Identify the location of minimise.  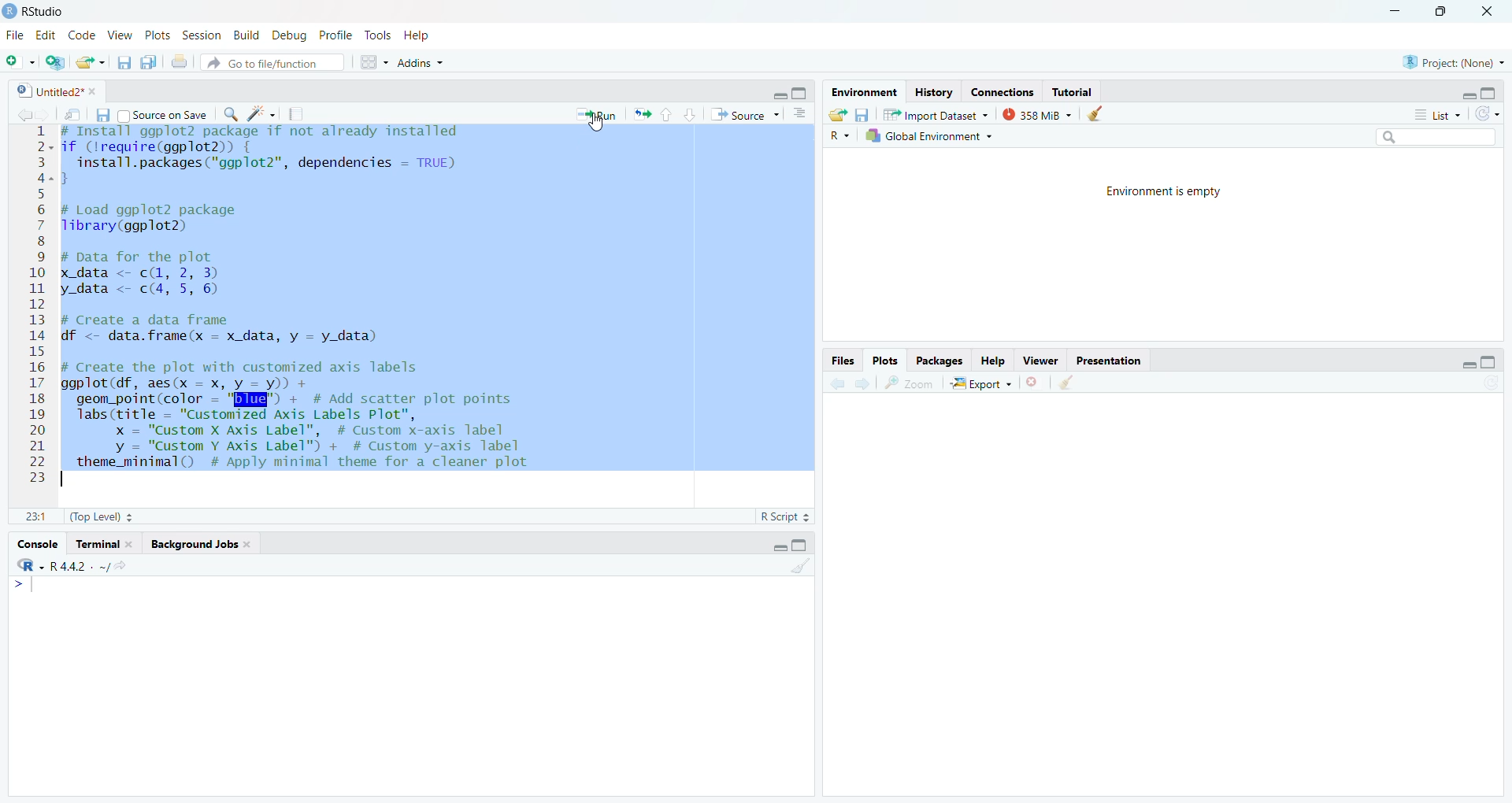
(1392, 9).